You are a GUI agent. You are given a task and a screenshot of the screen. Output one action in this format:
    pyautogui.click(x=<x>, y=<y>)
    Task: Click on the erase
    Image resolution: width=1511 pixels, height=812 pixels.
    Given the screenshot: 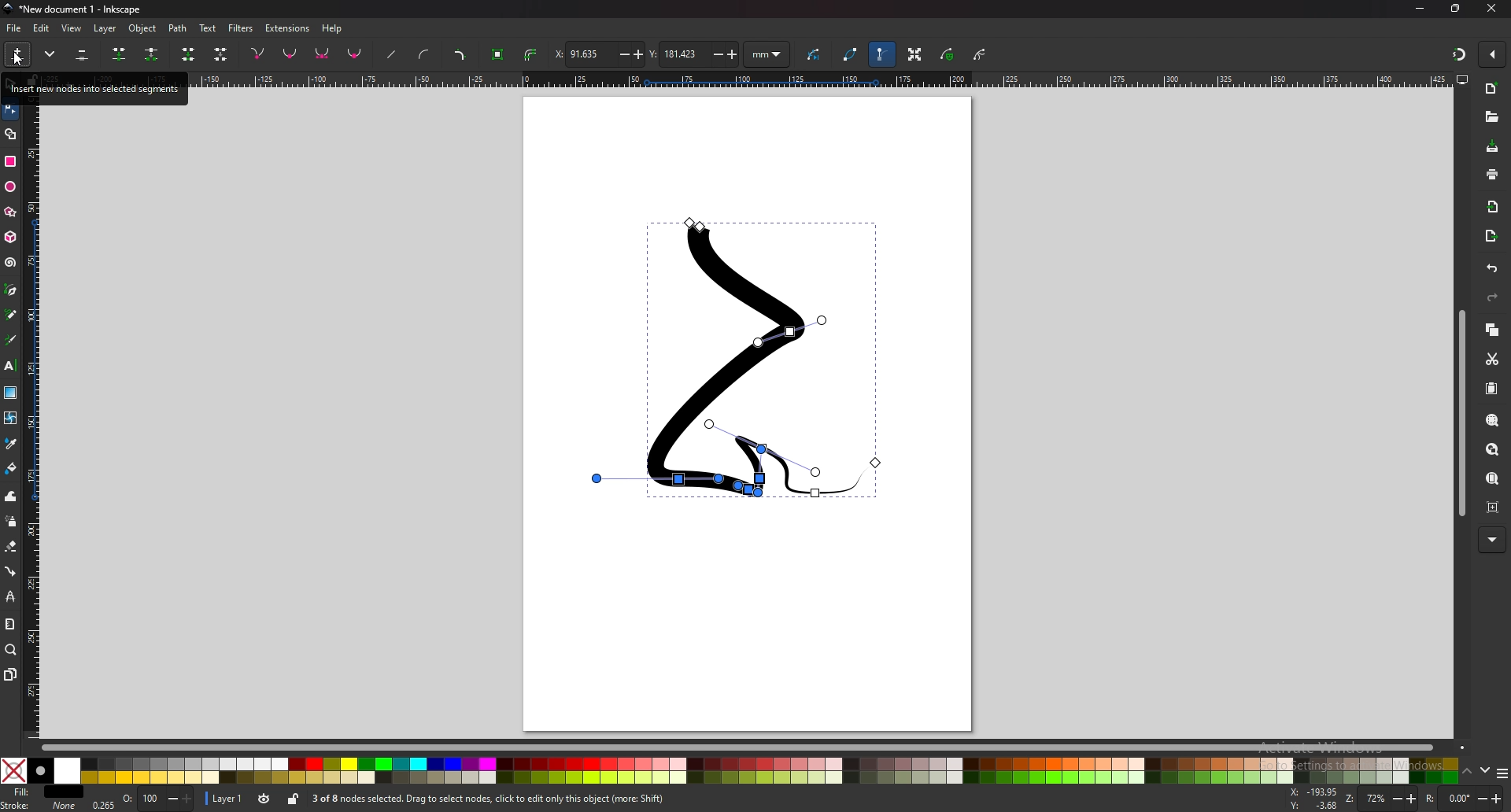 What is the action you would take?
    pyautogui.click(x=11, y=547)
    